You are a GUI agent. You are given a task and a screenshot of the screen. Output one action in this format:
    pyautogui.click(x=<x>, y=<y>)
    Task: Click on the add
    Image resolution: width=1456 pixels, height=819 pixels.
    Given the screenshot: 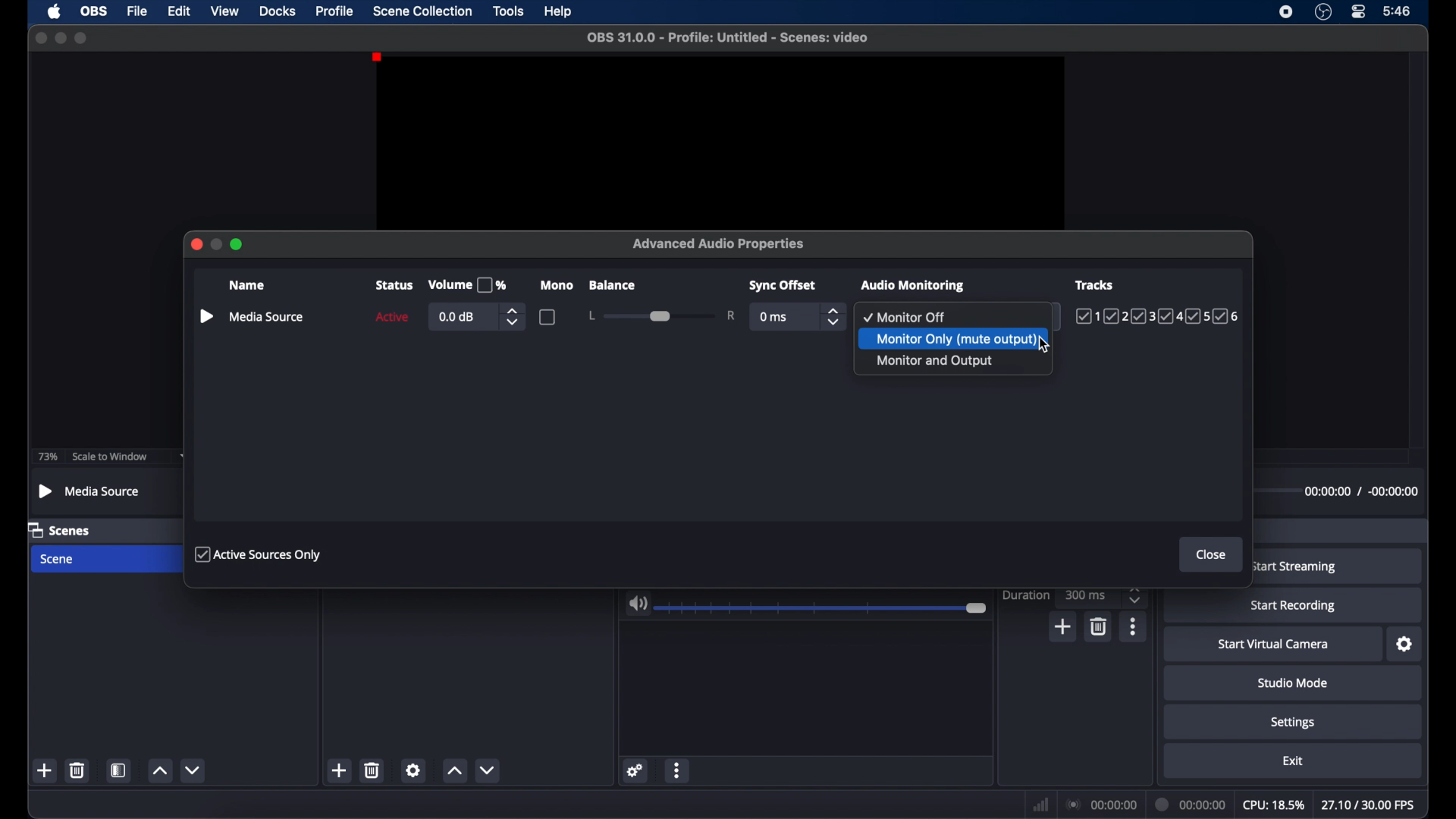 What is the action you would take?
    pyautogui.click(x=340, y=770)
    